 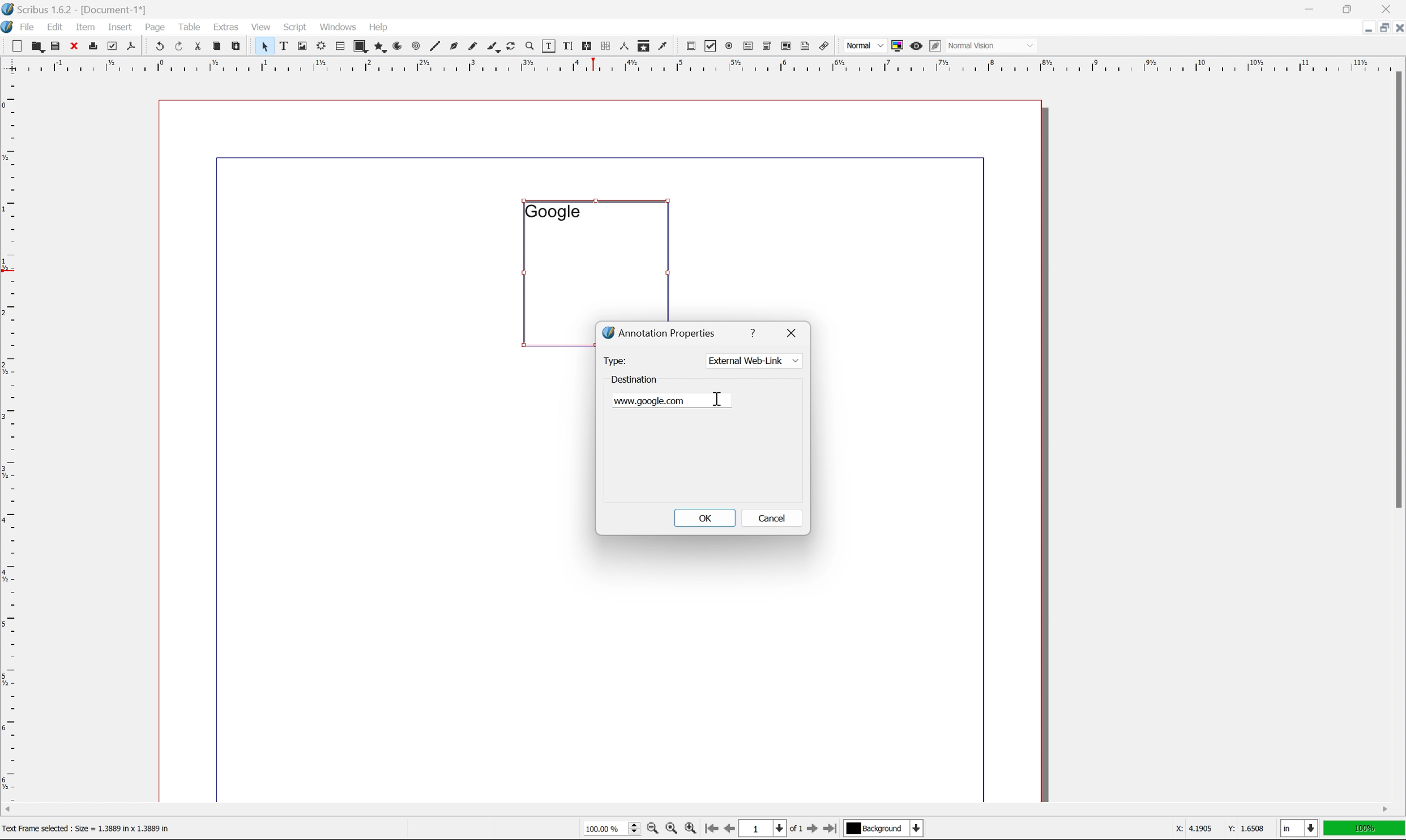 I want to click on shape, so click(x=361, y=47).